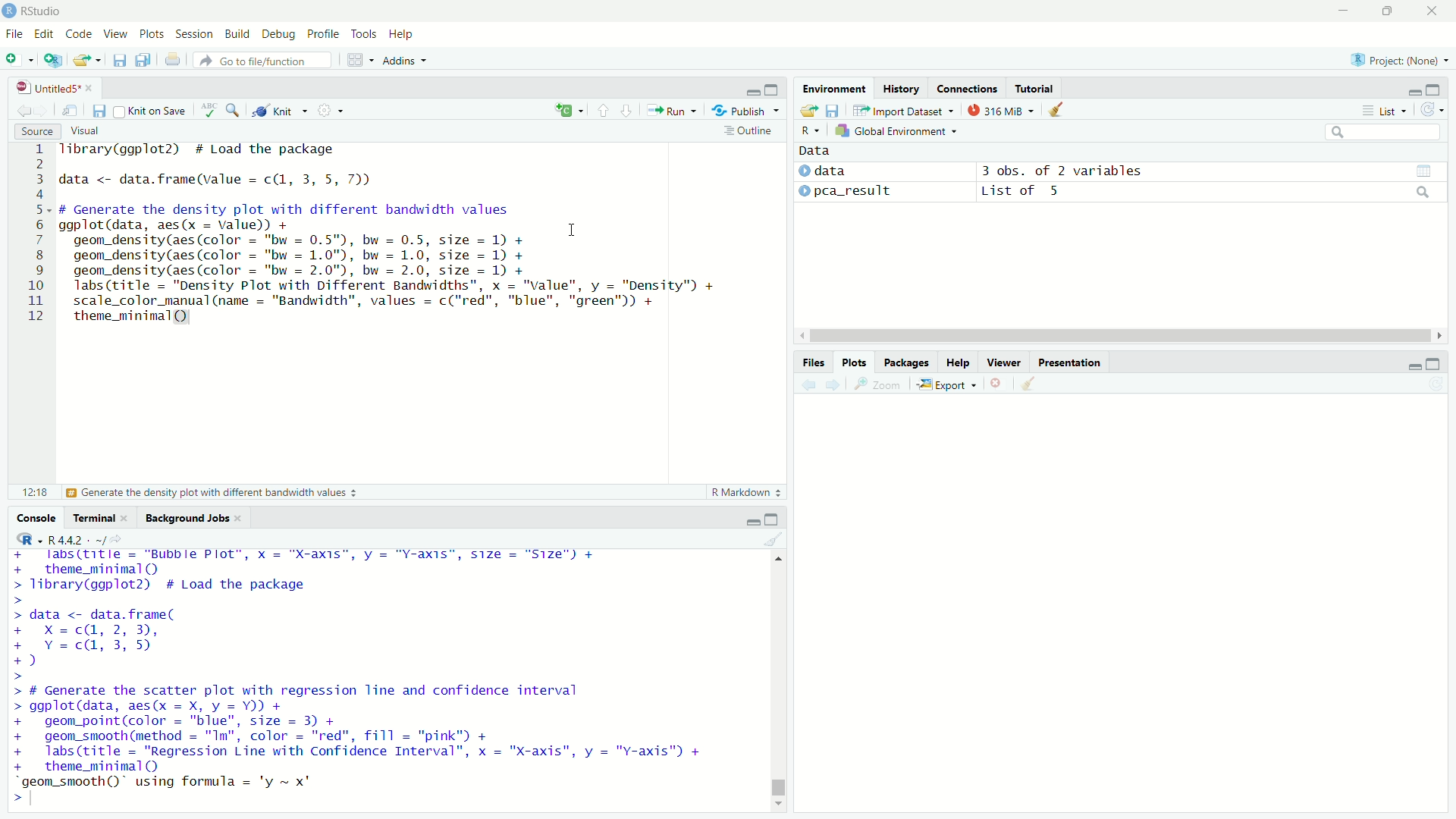 The image size is (1456, 819). Describe the element at coordinates (947, 384) in the screenshot. I see `Export` at that location.